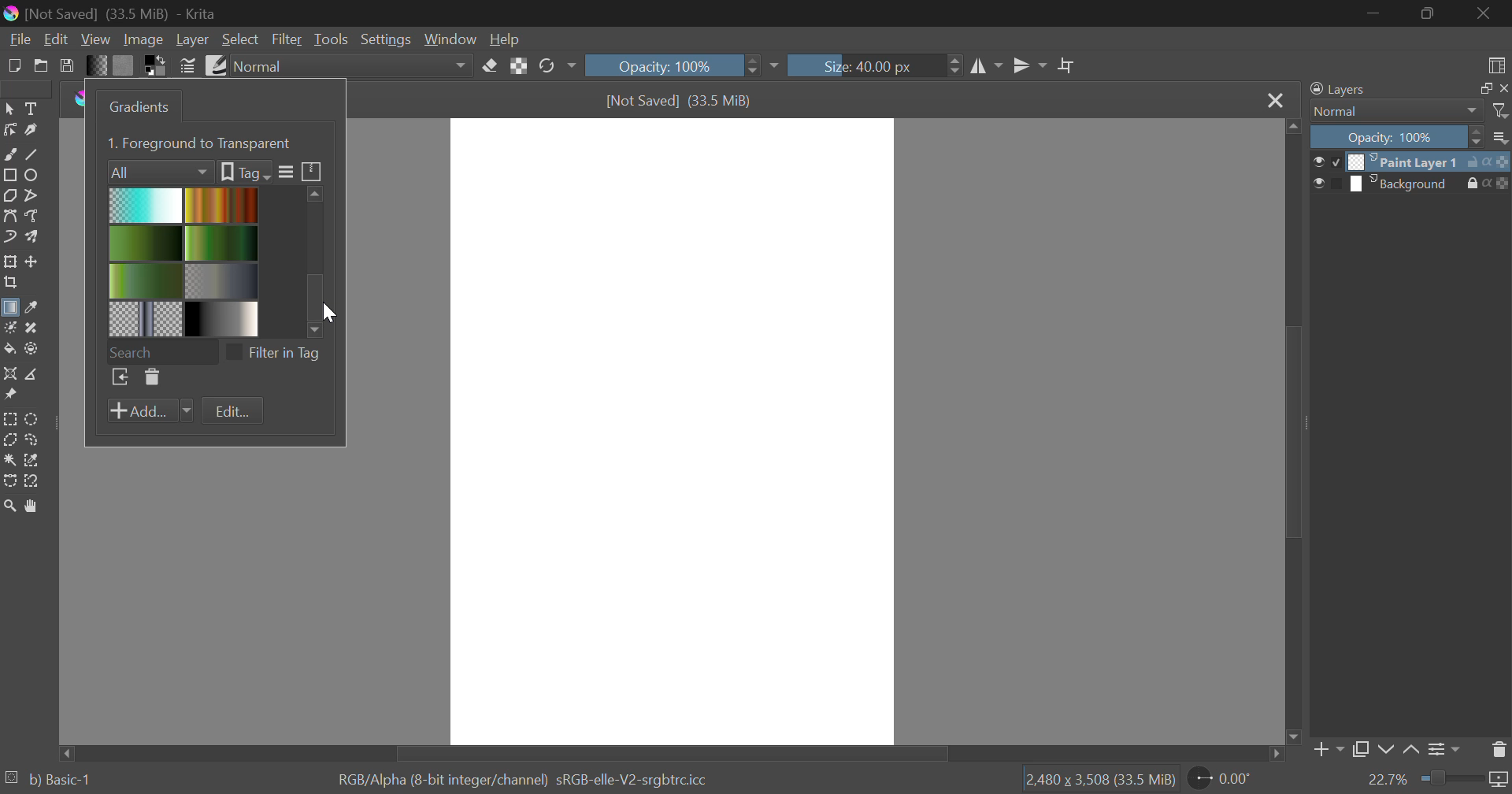 This screenshot has width=1512, height=794. I want to click on Normal, so click(354, 66).